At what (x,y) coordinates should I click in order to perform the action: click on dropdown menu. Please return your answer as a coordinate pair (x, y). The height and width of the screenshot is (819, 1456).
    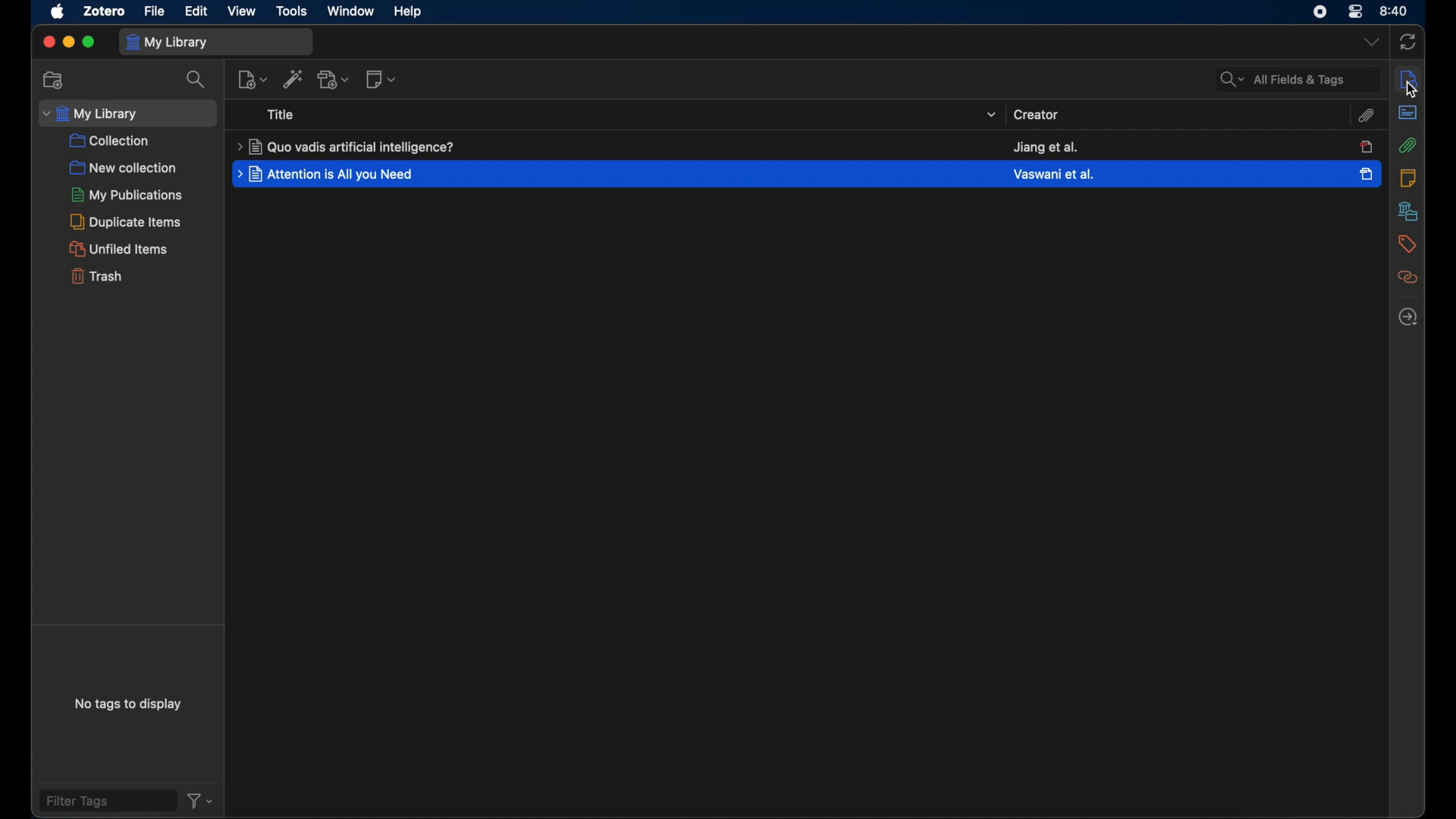
    Looking at the image, I should click on (1370, 43).